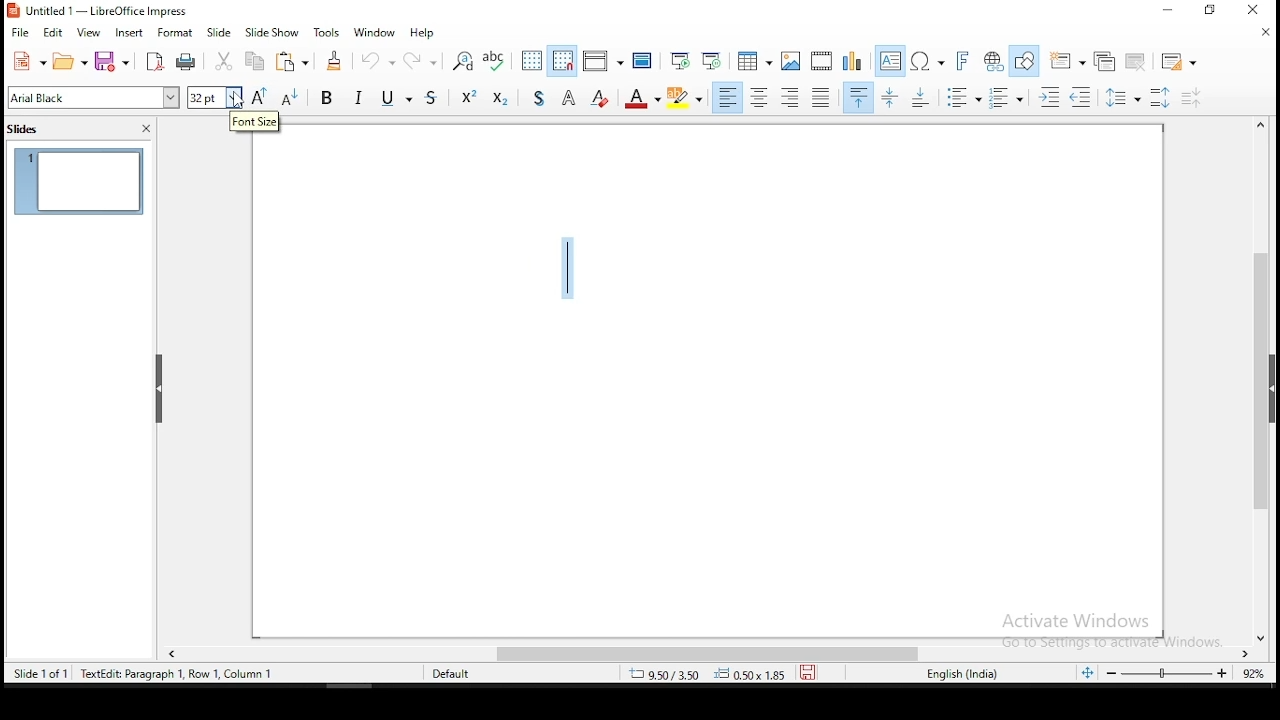 The image size is (1280, 720). Describe the element at coordinates (1006, 98) in the screenshot. I see `Numbered bullet list` at that location.